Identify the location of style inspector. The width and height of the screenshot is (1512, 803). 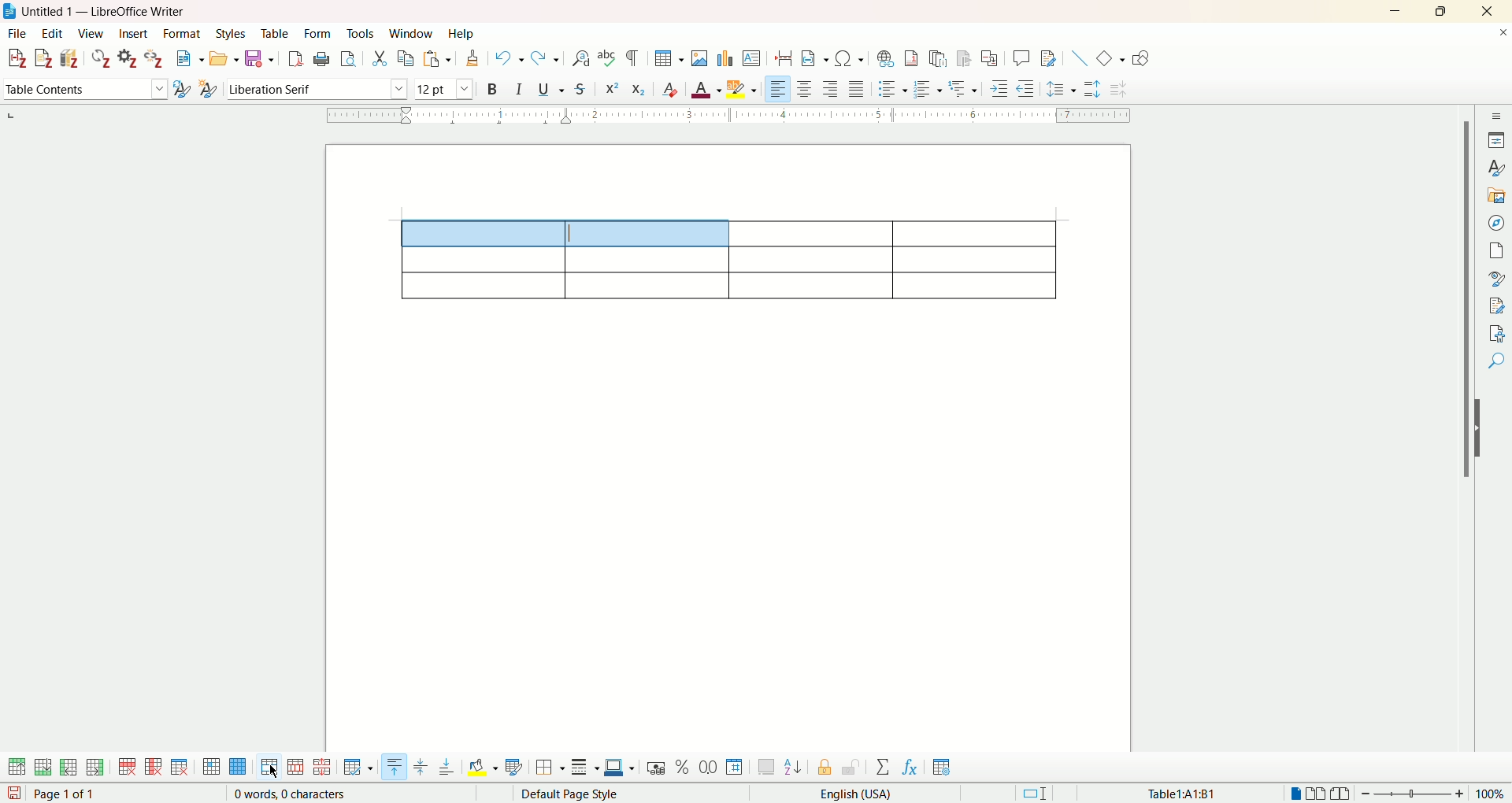
(1495, 277).